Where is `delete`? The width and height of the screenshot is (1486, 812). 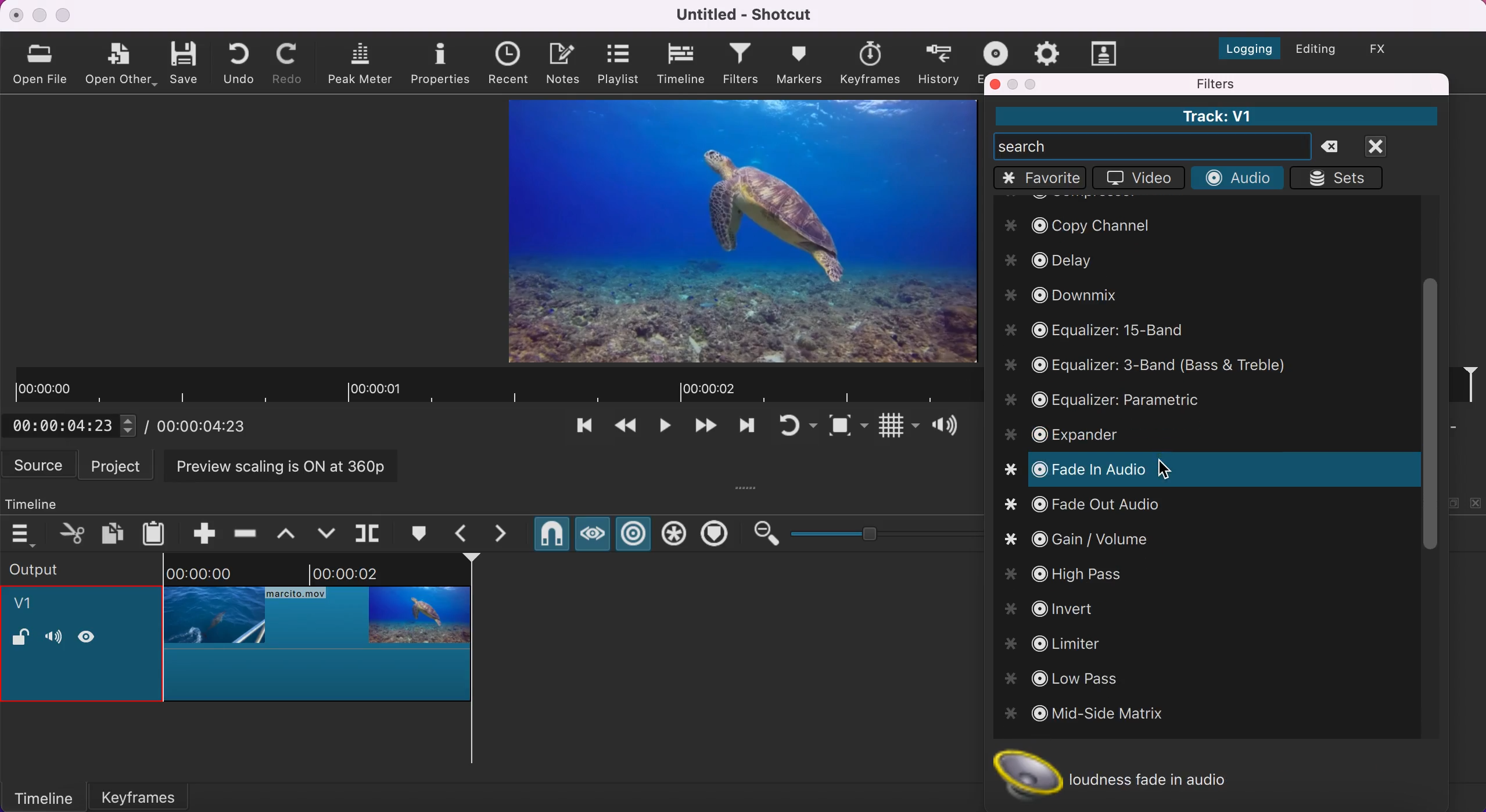
delete is located at coordinates (1336, 148).